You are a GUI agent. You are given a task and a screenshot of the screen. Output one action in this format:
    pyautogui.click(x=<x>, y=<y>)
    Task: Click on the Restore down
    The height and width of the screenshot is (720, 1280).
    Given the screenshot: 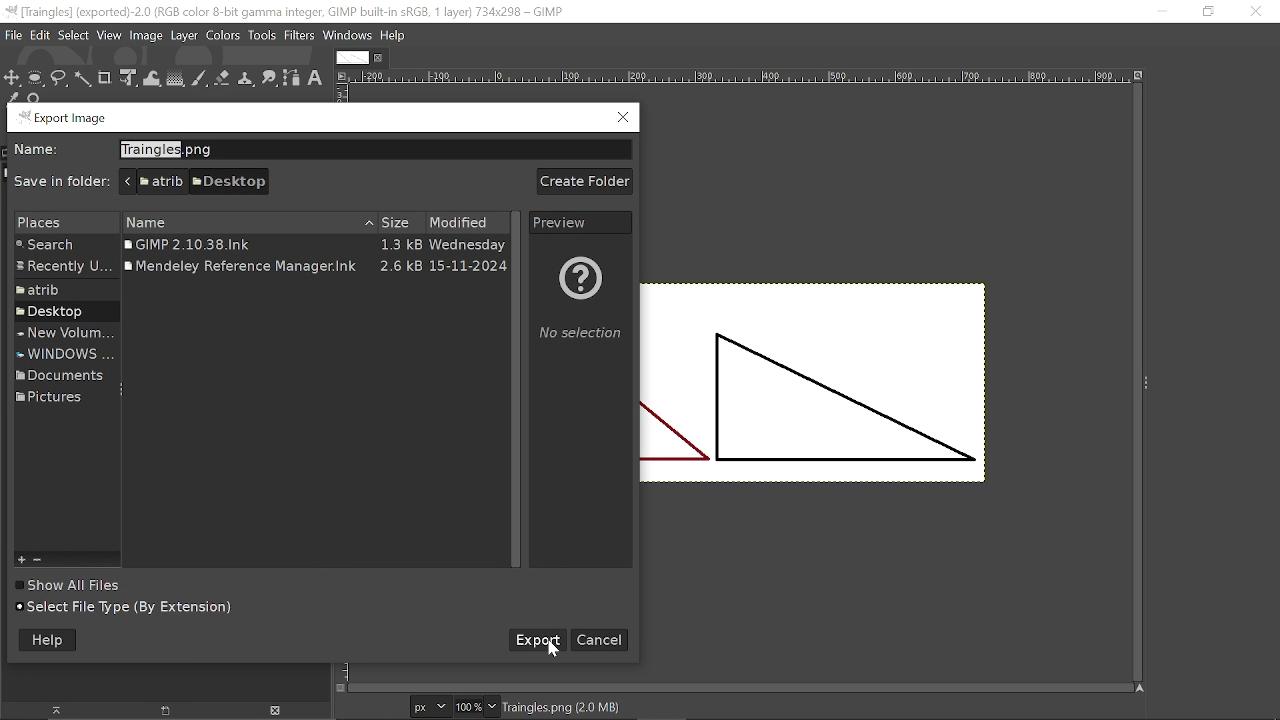 What is the action you would take?
    pyautogui.click(x=1206, y=12)
    